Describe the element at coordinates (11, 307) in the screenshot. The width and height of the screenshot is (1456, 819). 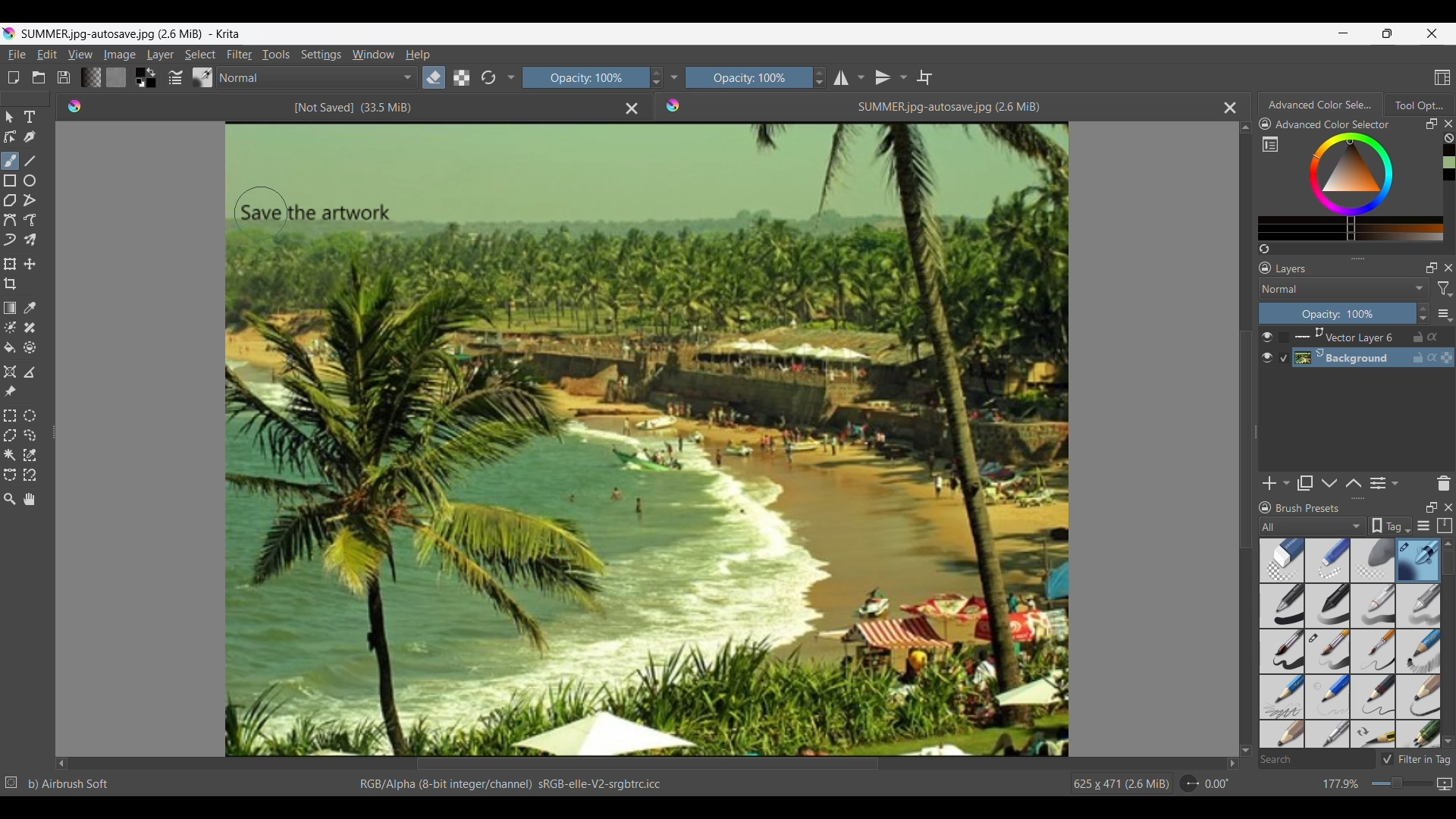
I see `Draw a gradient` at that location.